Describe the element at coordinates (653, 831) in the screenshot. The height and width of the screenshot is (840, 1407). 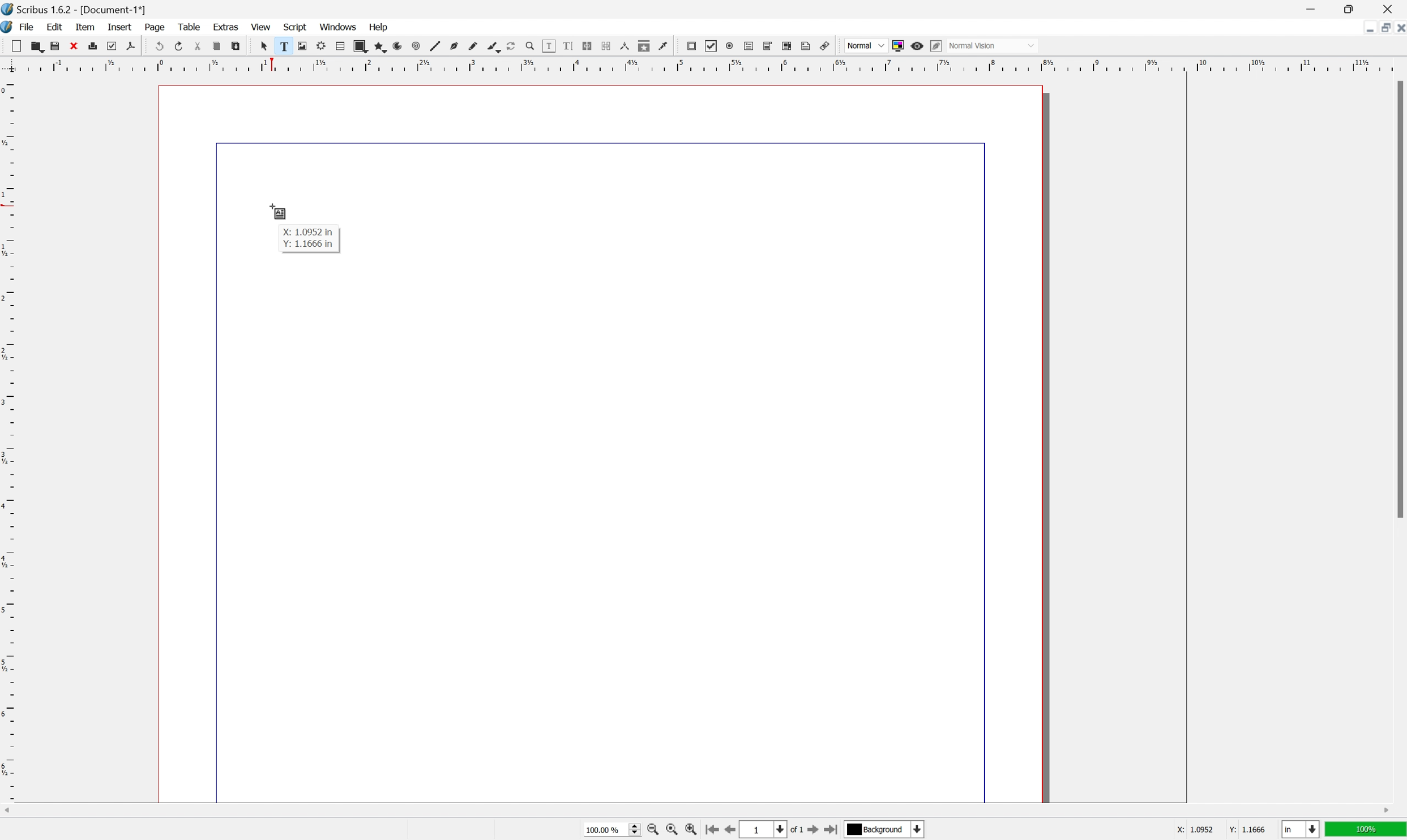
I see `zoom in` at that location.